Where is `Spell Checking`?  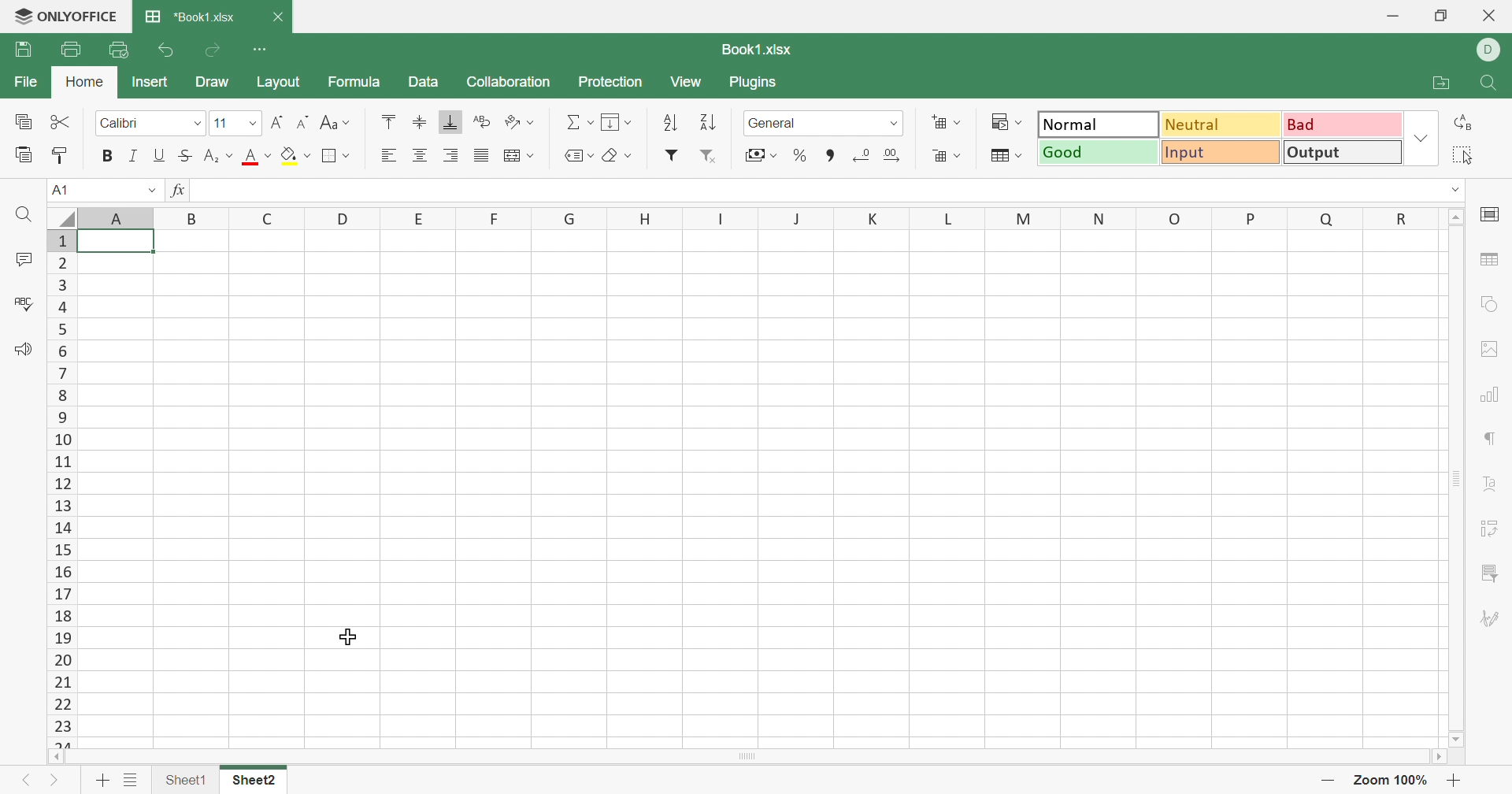
Spell Checking is located at coordinates (24, 302).